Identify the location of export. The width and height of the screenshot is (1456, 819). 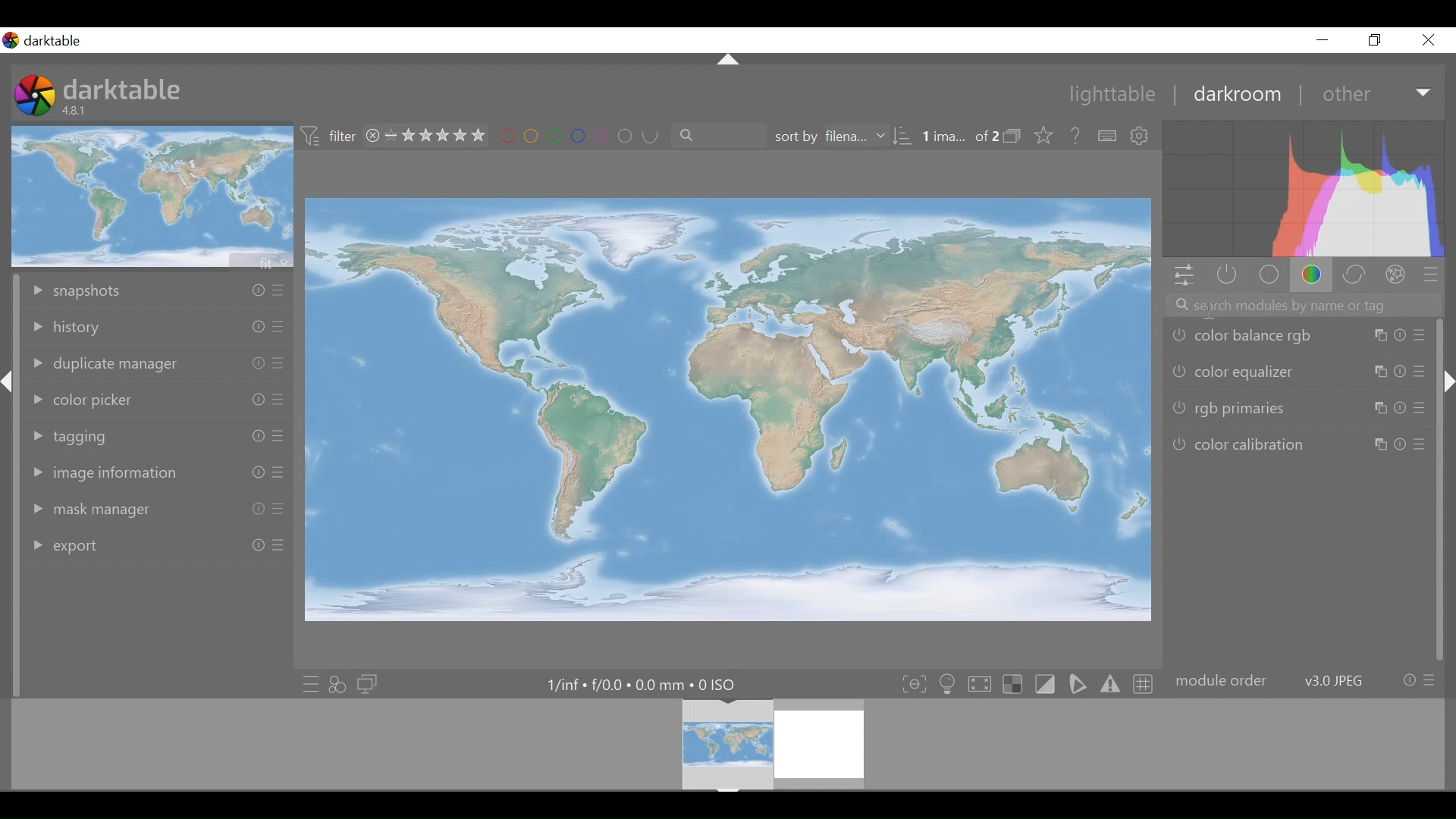
(157, 545).